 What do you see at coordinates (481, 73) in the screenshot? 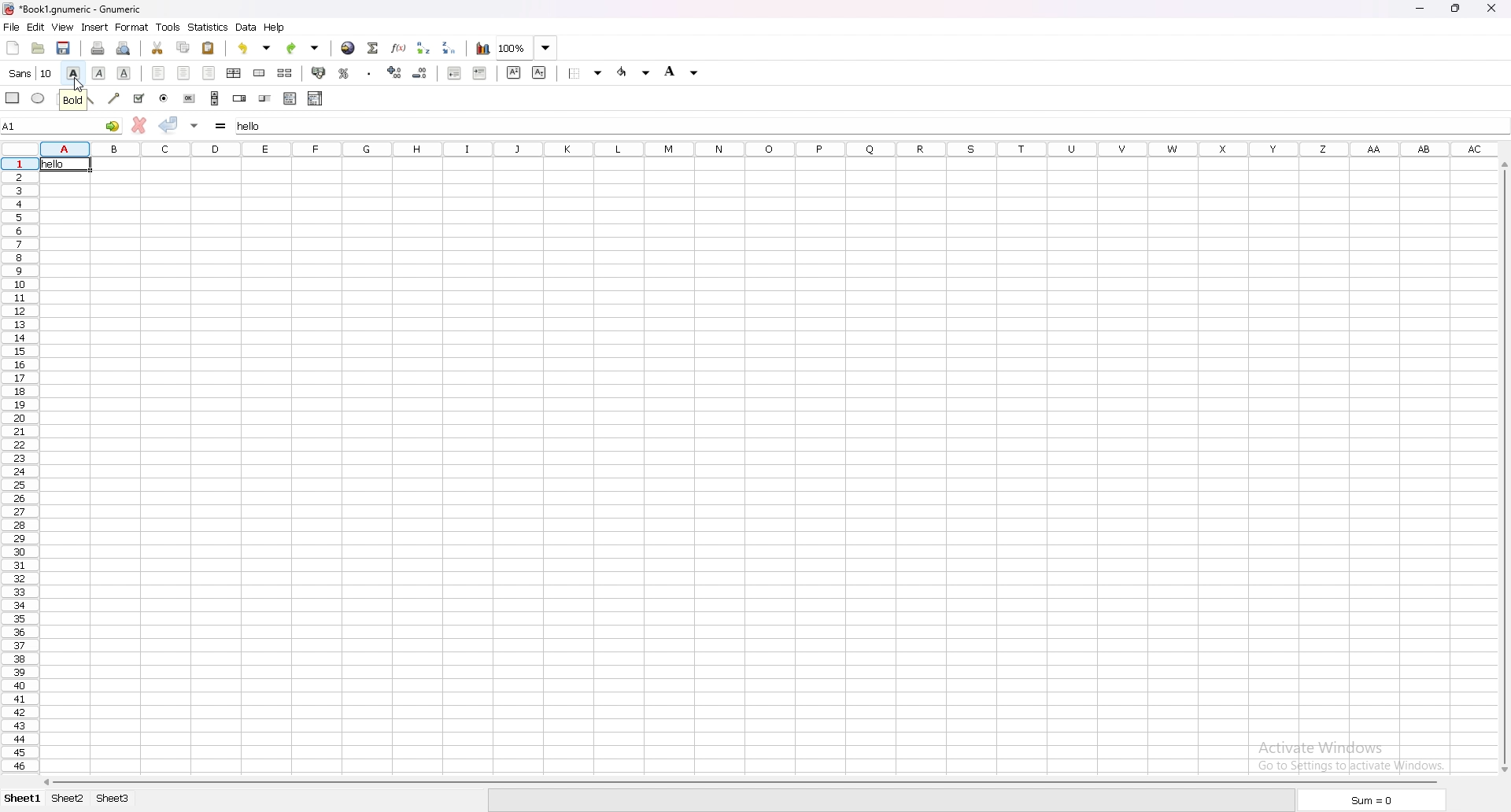
I see `increase indent` at bounding box center [481, 73].